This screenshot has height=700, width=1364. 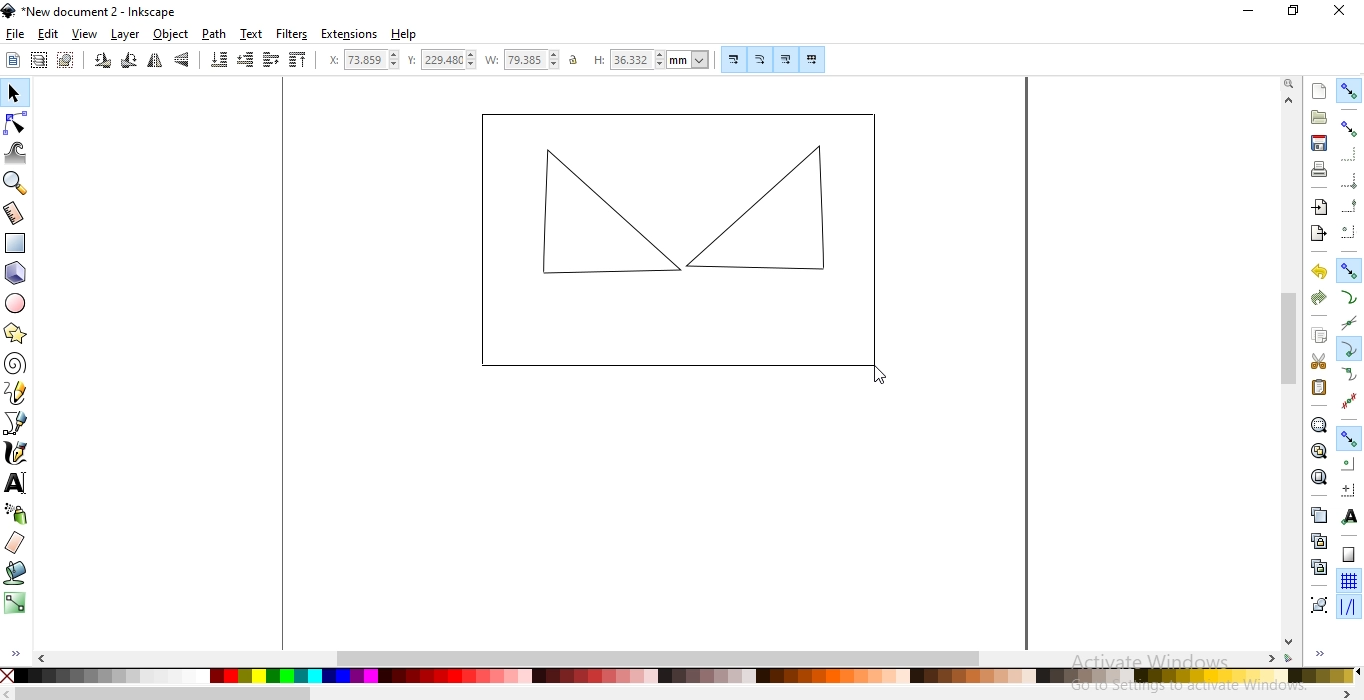 What do you see at coordinates (786, 60) in the screenshot?
I see `move gradients along with objects` at bounding box center [786, 60].